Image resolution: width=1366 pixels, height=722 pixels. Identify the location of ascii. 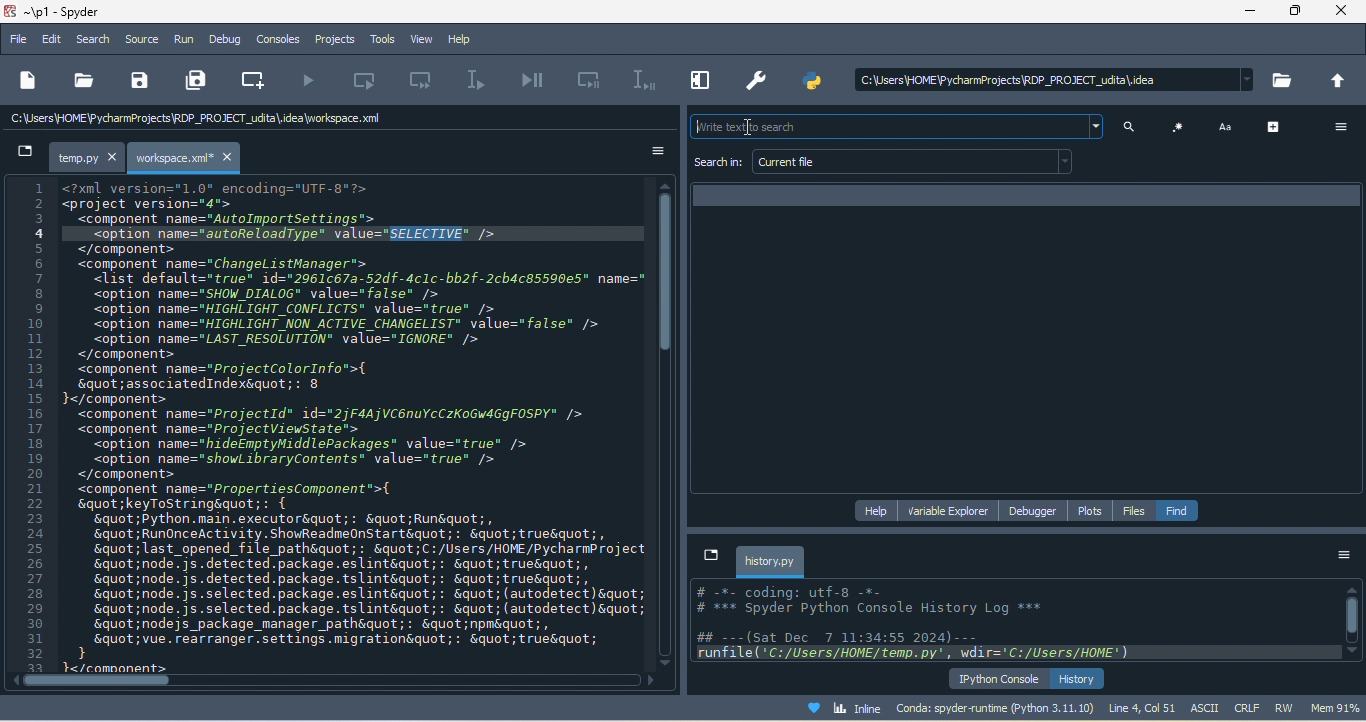
(1207, 708).